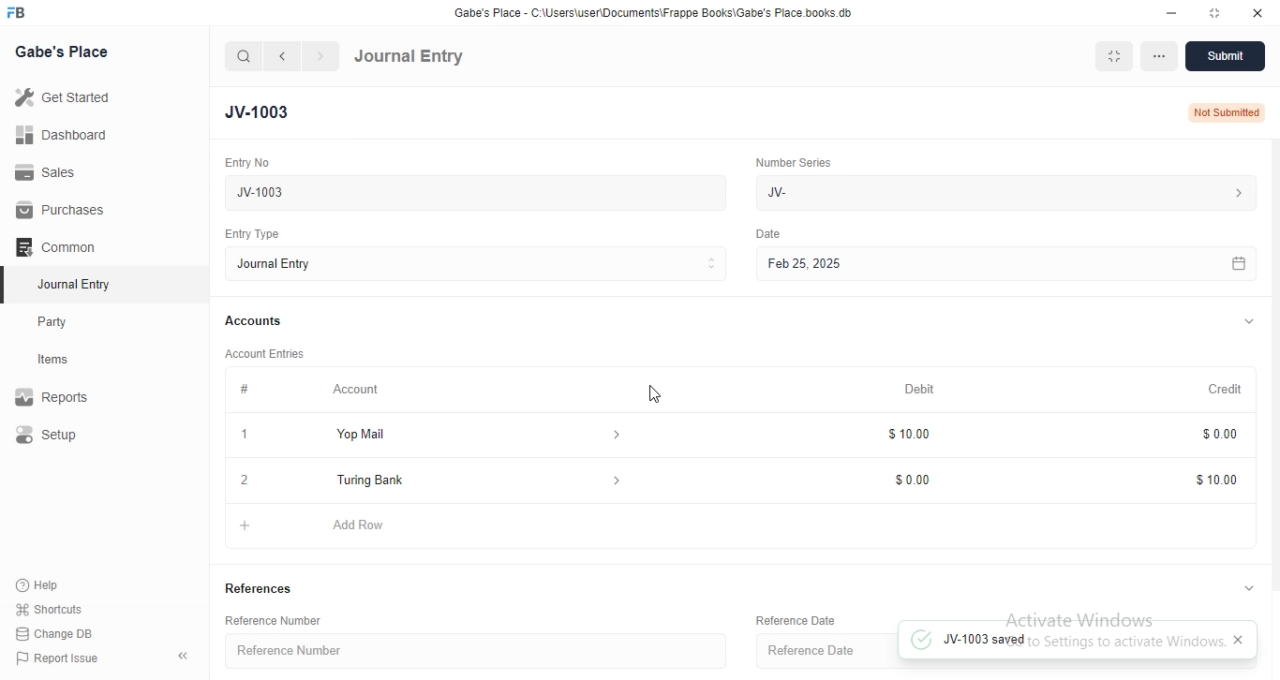 The width and height of the screenshot is (1280, 680). Describe the element at coordinates (1226, 57) in the screenshot. I see `Submit` at that location.